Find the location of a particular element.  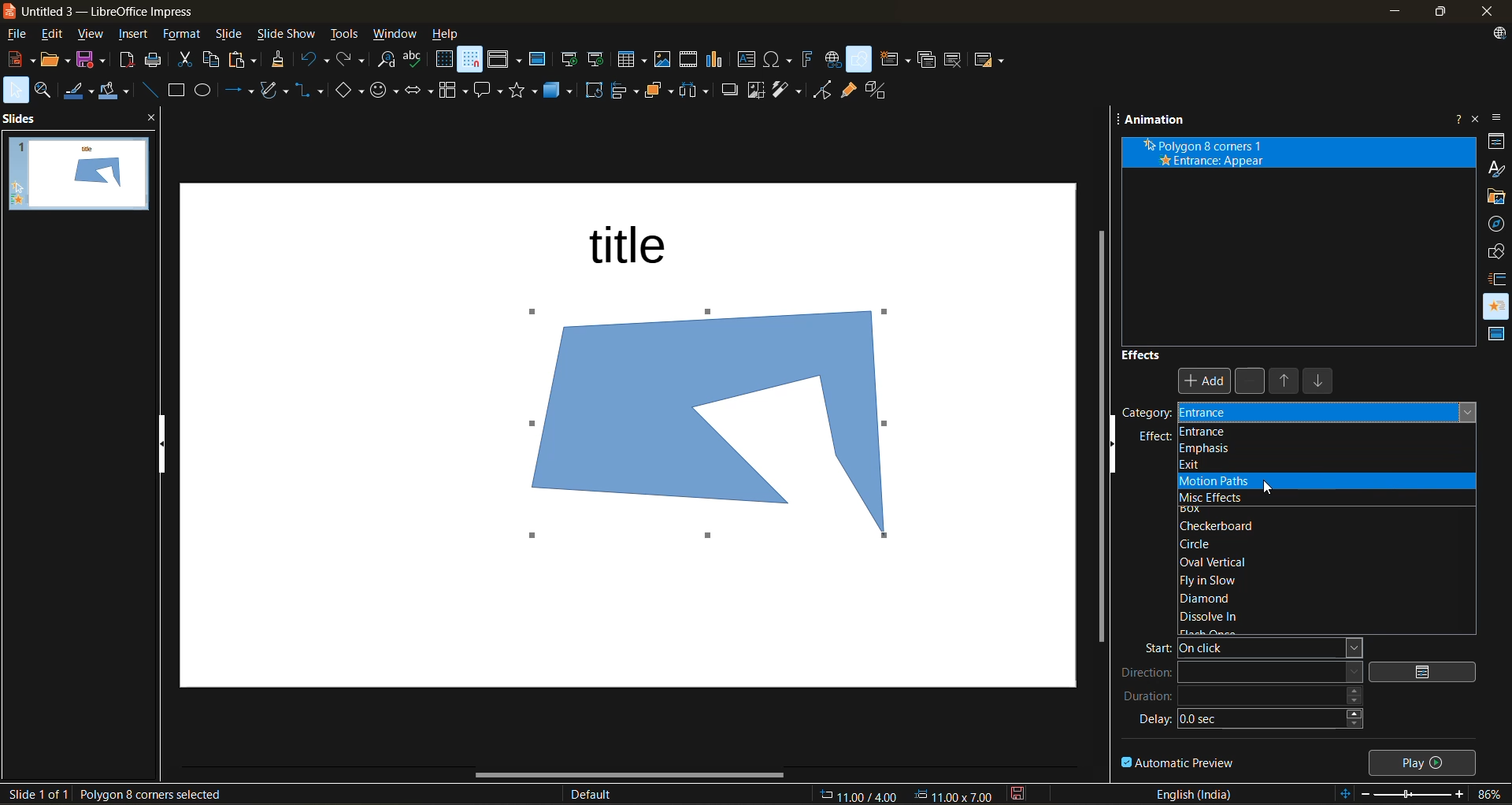

delay is located at coordinates (1246, 720).